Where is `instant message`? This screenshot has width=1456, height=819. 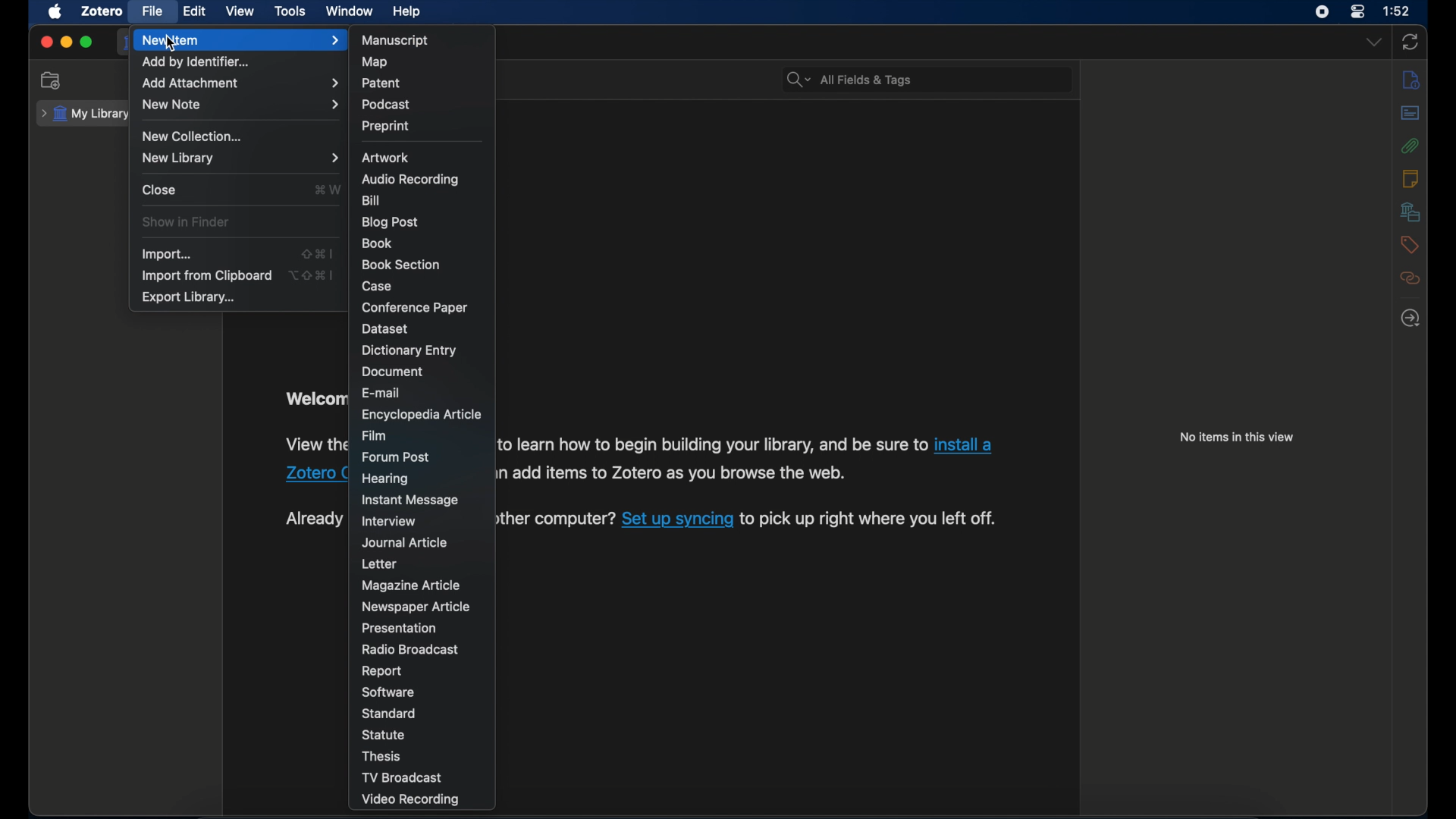
instant message is located at coordinates (409, 500).